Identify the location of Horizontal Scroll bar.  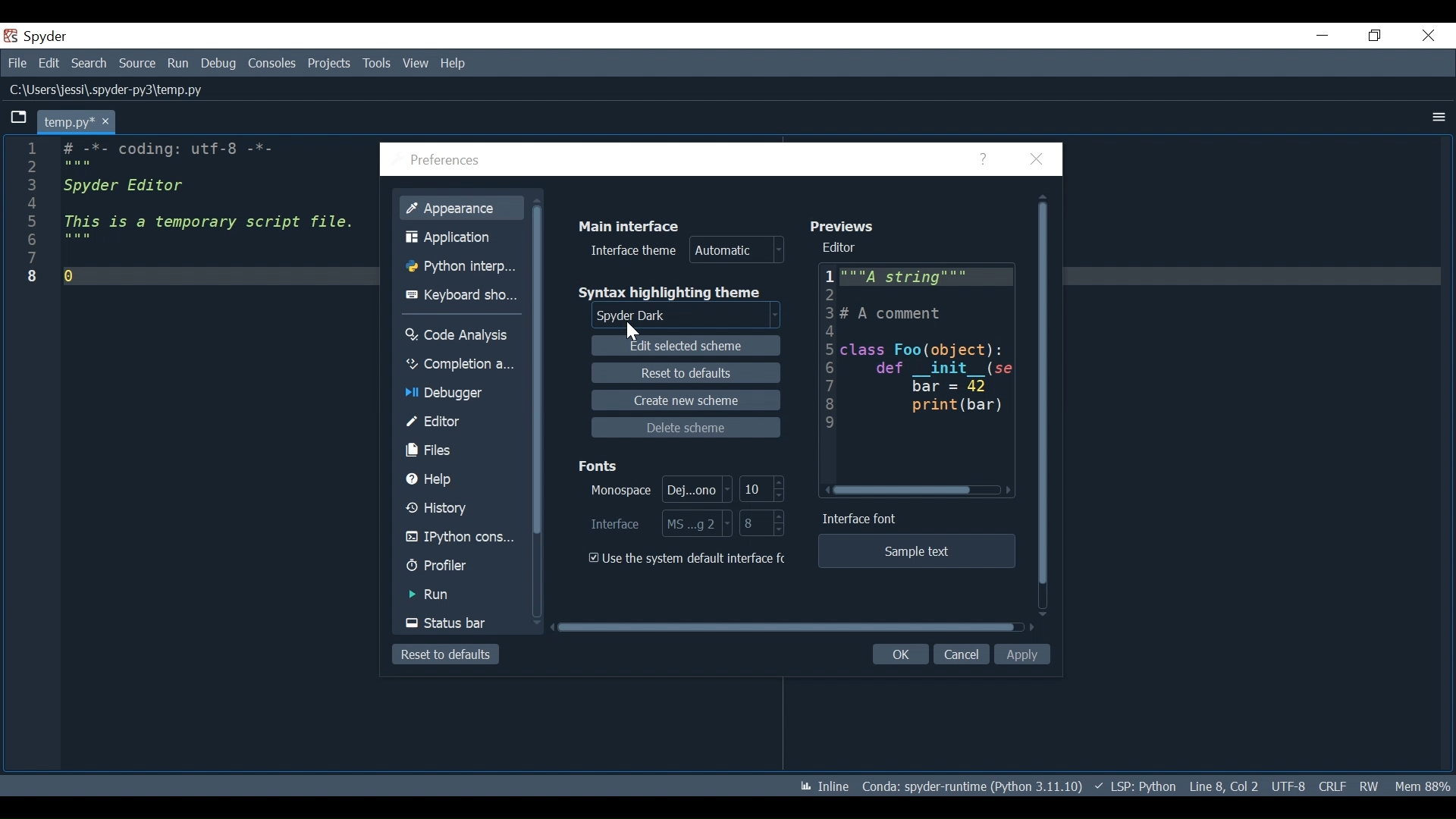
(786, 627).